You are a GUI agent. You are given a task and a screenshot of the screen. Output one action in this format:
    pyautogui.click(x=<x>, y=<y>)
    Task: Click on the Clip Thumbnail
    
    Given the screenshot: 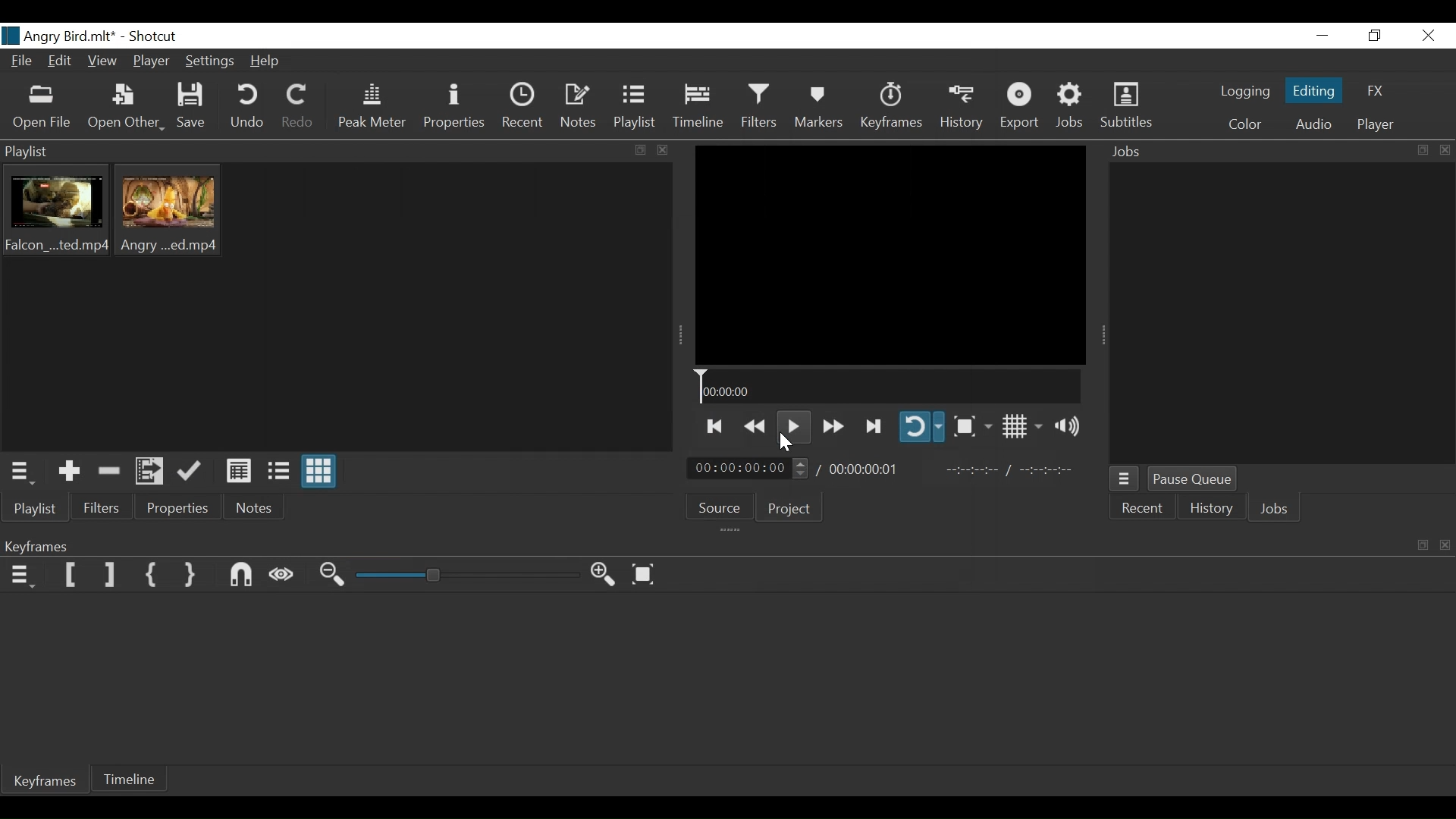 What is the action you would take?
    pyautogui.click(x=53, y=216)
    